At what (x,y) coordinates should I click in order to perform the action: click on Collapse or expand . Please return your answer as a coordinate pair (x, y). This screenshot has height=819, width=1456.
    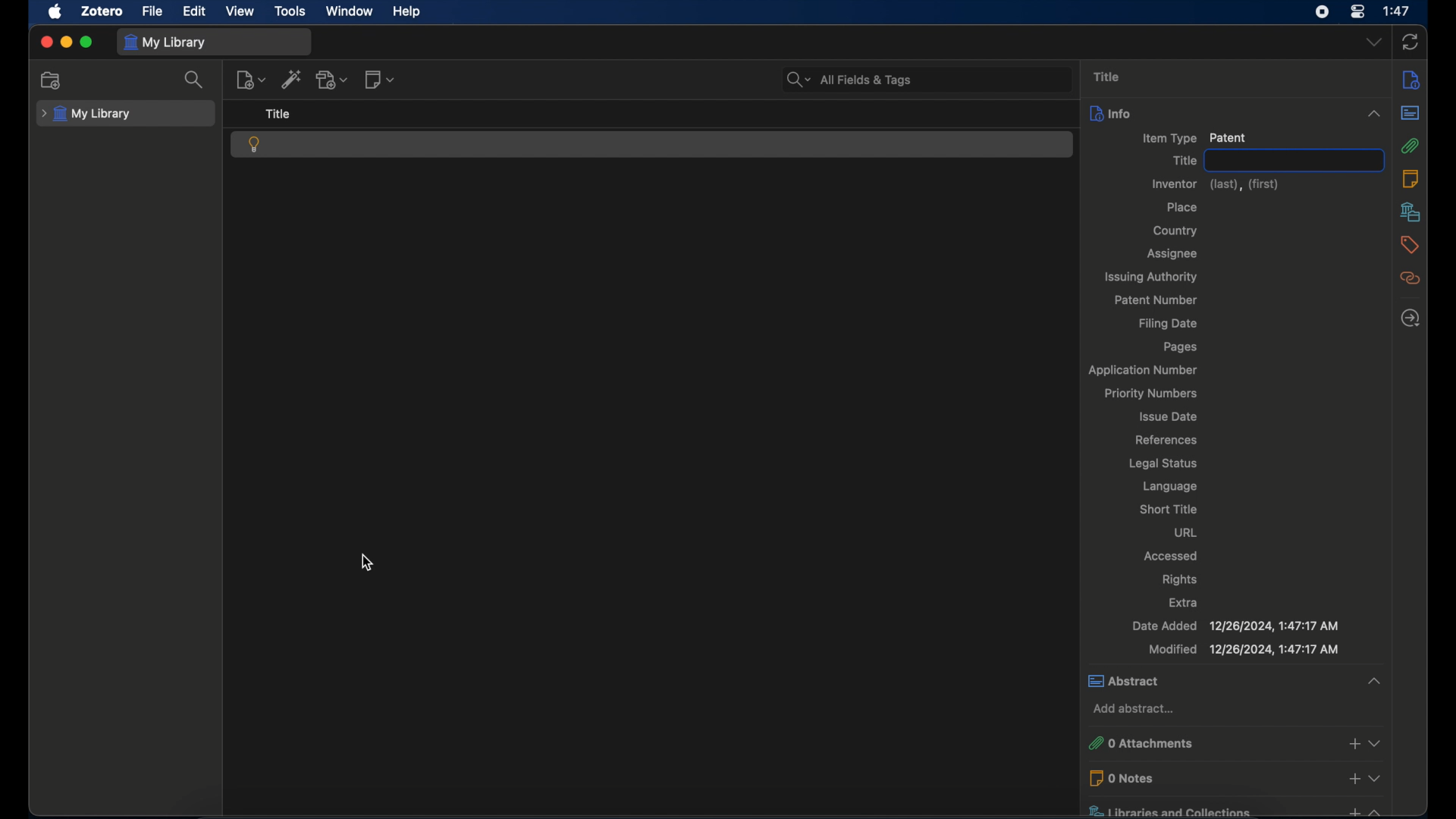
    Looking at the image, I should click on (1379, 809).